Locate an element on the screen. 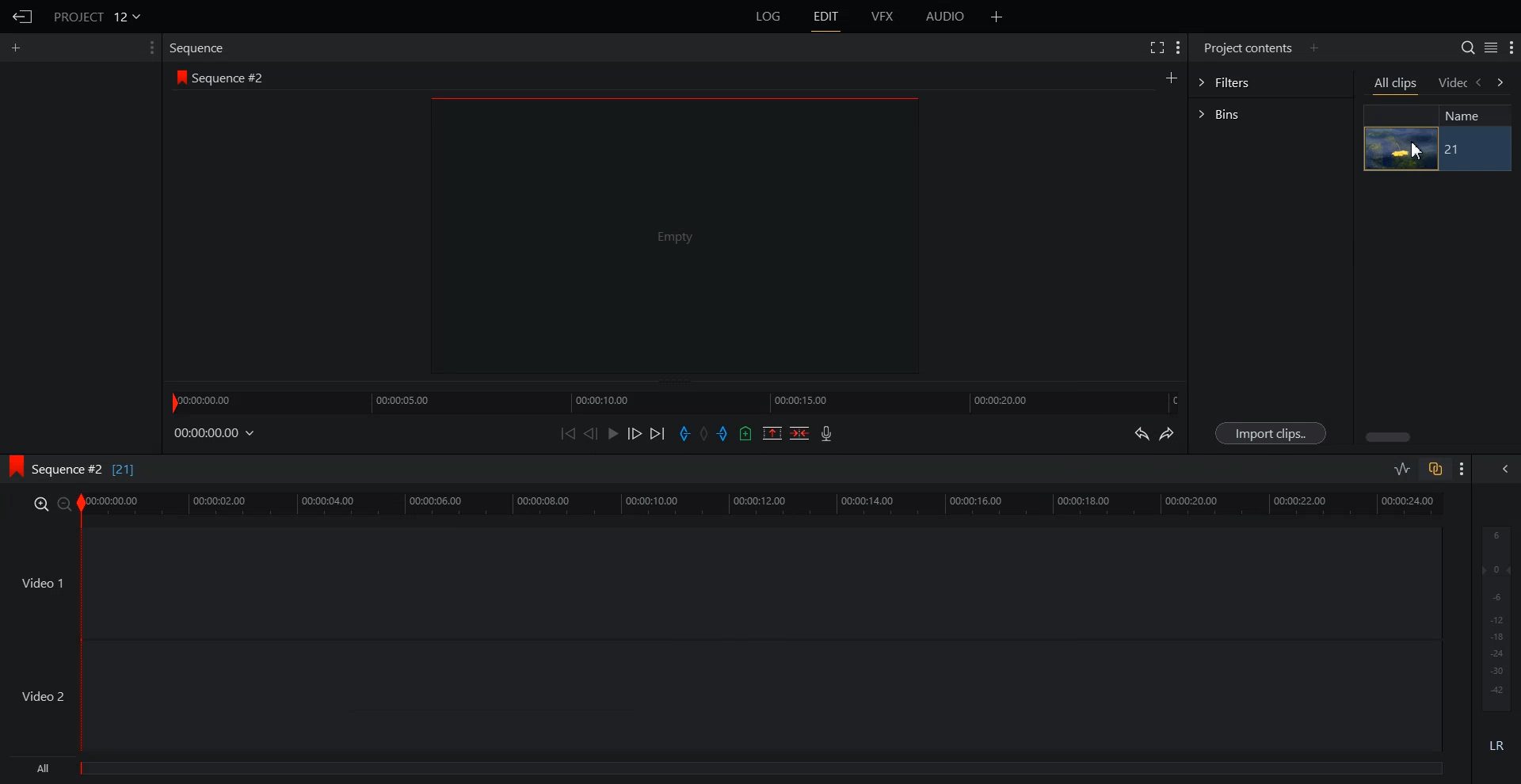 The height and width of the screenshot is (784, 1521). Video is located at coordinates (1452, 83).